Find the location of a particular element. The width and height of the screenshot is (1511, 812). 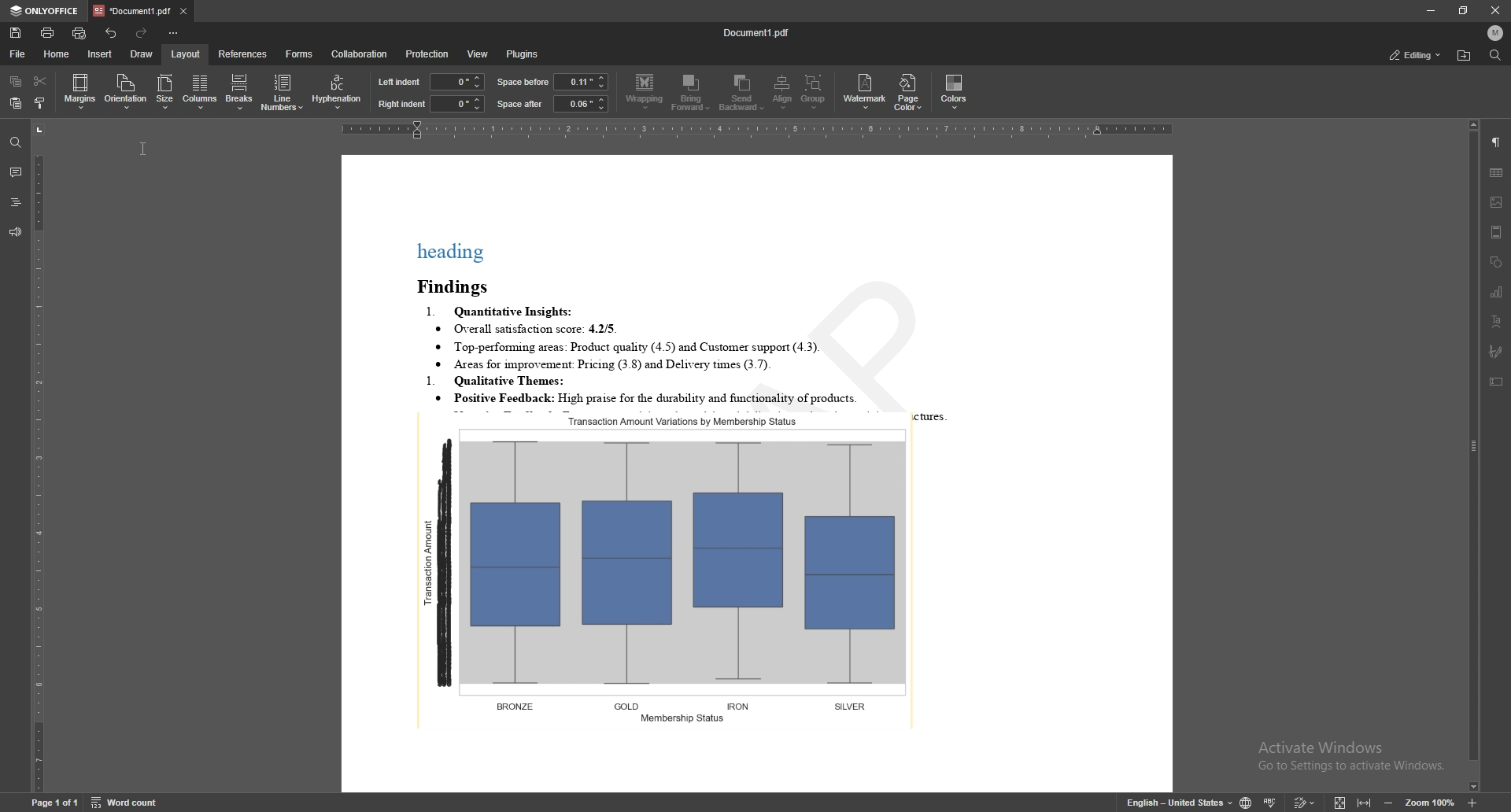

fit width is located at coordinates (1365, 800).